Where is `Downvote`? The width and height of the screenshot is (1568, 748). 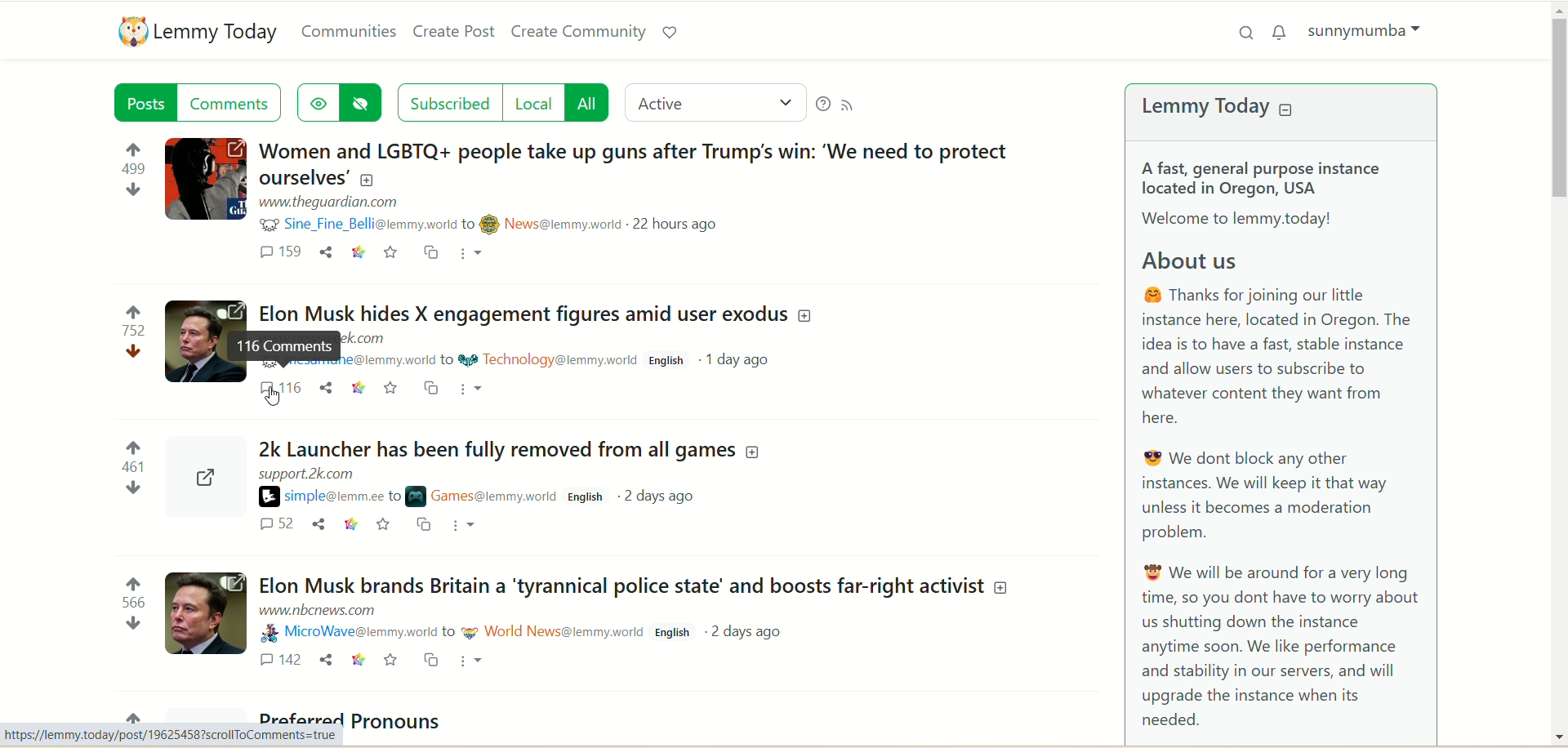
Downvote is located at coordinates (136, 189).